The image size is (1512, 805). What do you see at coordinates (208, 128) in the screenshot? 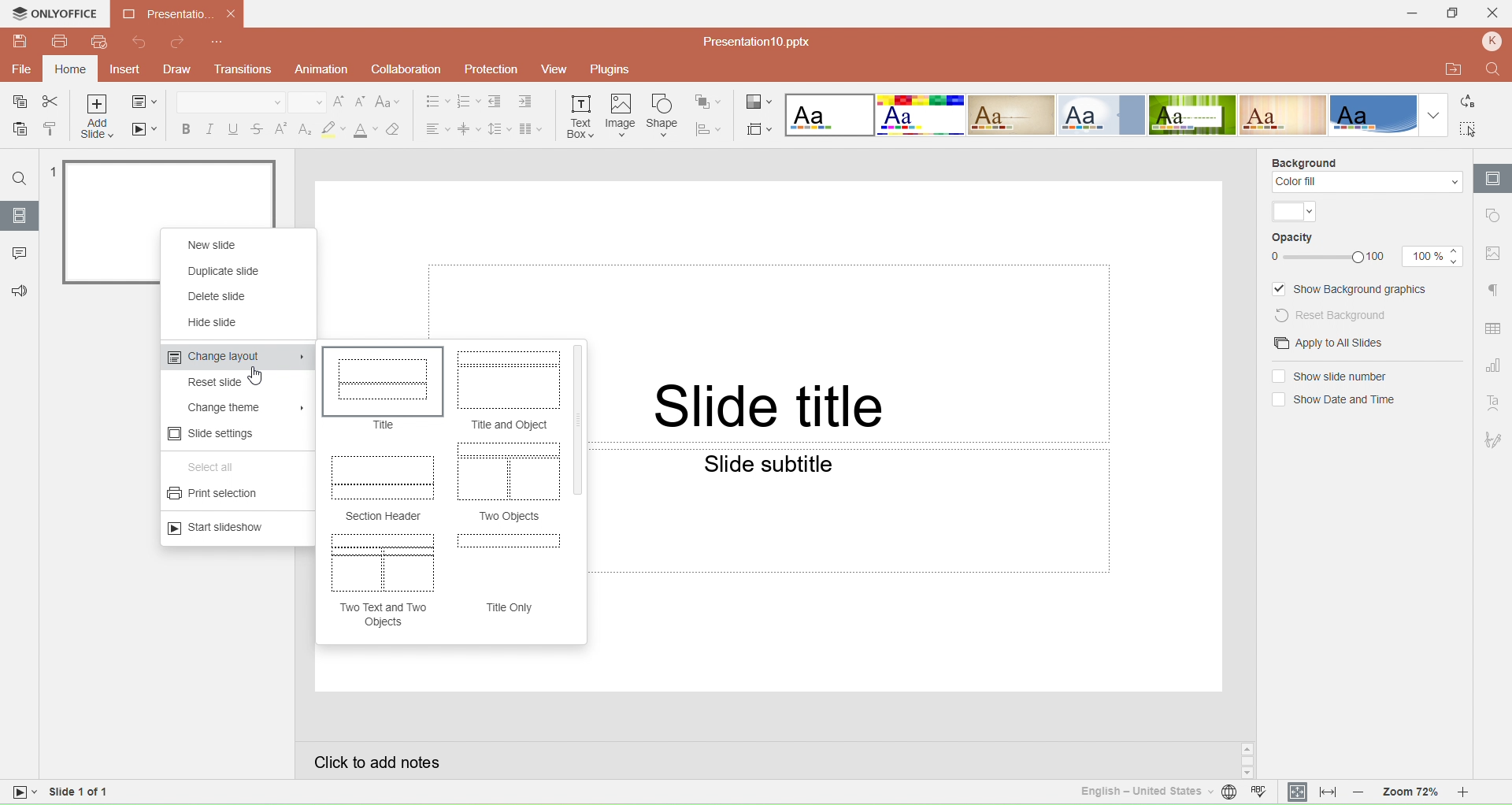
I see `Italic` at bounding box center [208, 128].